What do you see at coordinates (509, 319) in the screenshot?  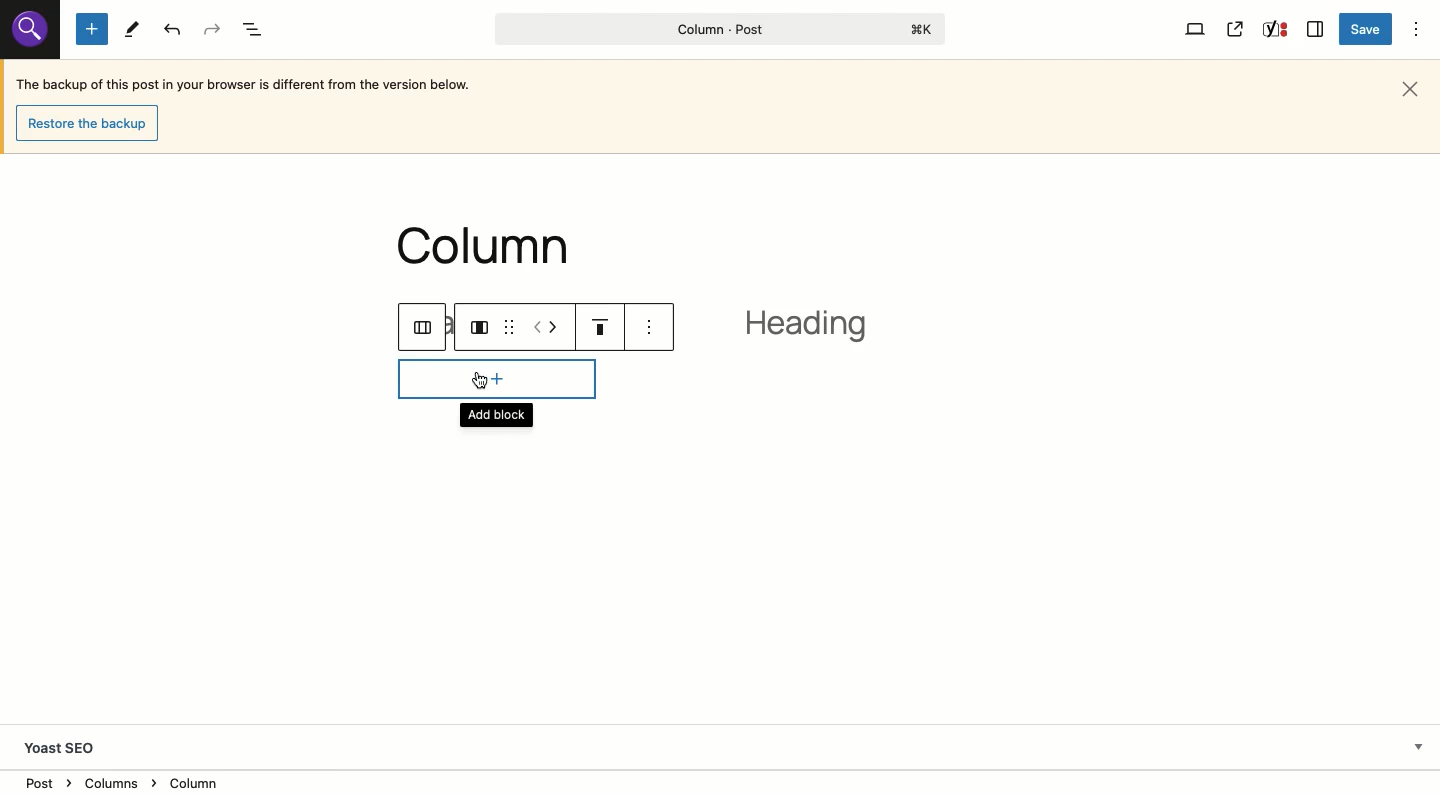 I see `drag` at bounding box center [509, 319].